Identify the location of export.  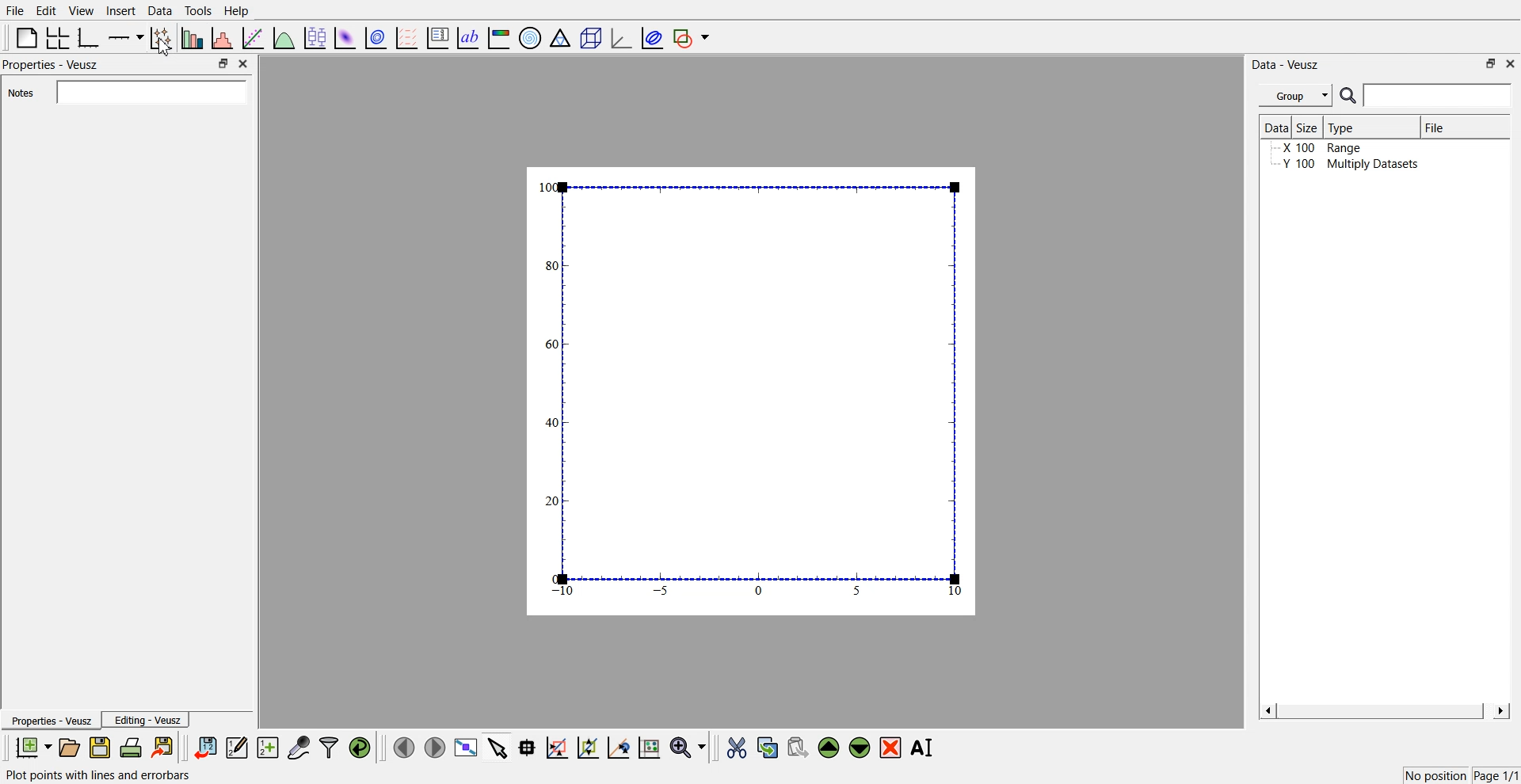
(164, 747).